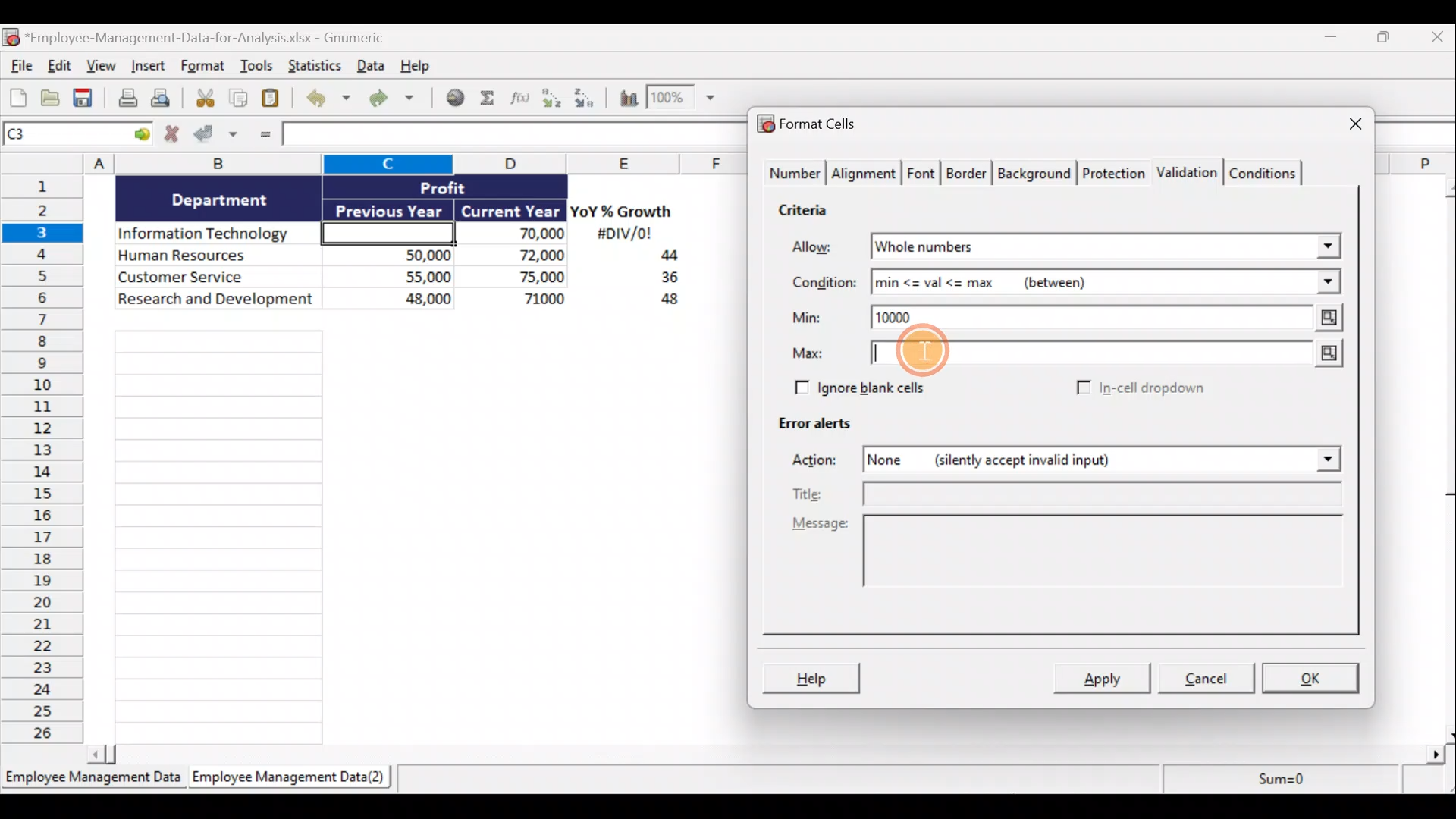  What do you see at coordinates (522, 300) in the screenshot?
I see `71,000` at bounding box center [522, 300].